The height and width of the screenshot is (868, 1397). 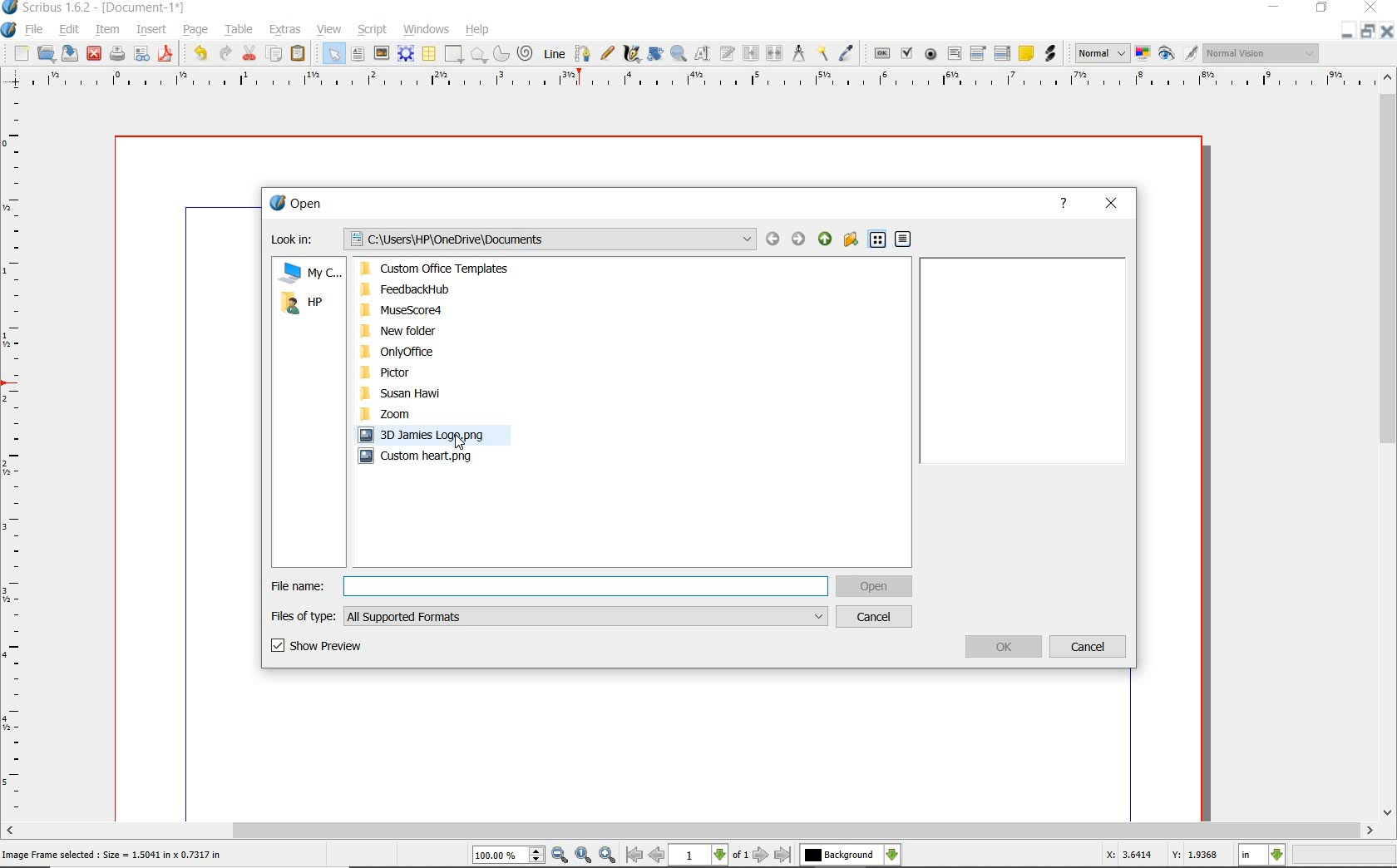 What do you see at coordinates (1005, 646) in the screenshot?
I see `ok` at bounding box center [1005, 646].